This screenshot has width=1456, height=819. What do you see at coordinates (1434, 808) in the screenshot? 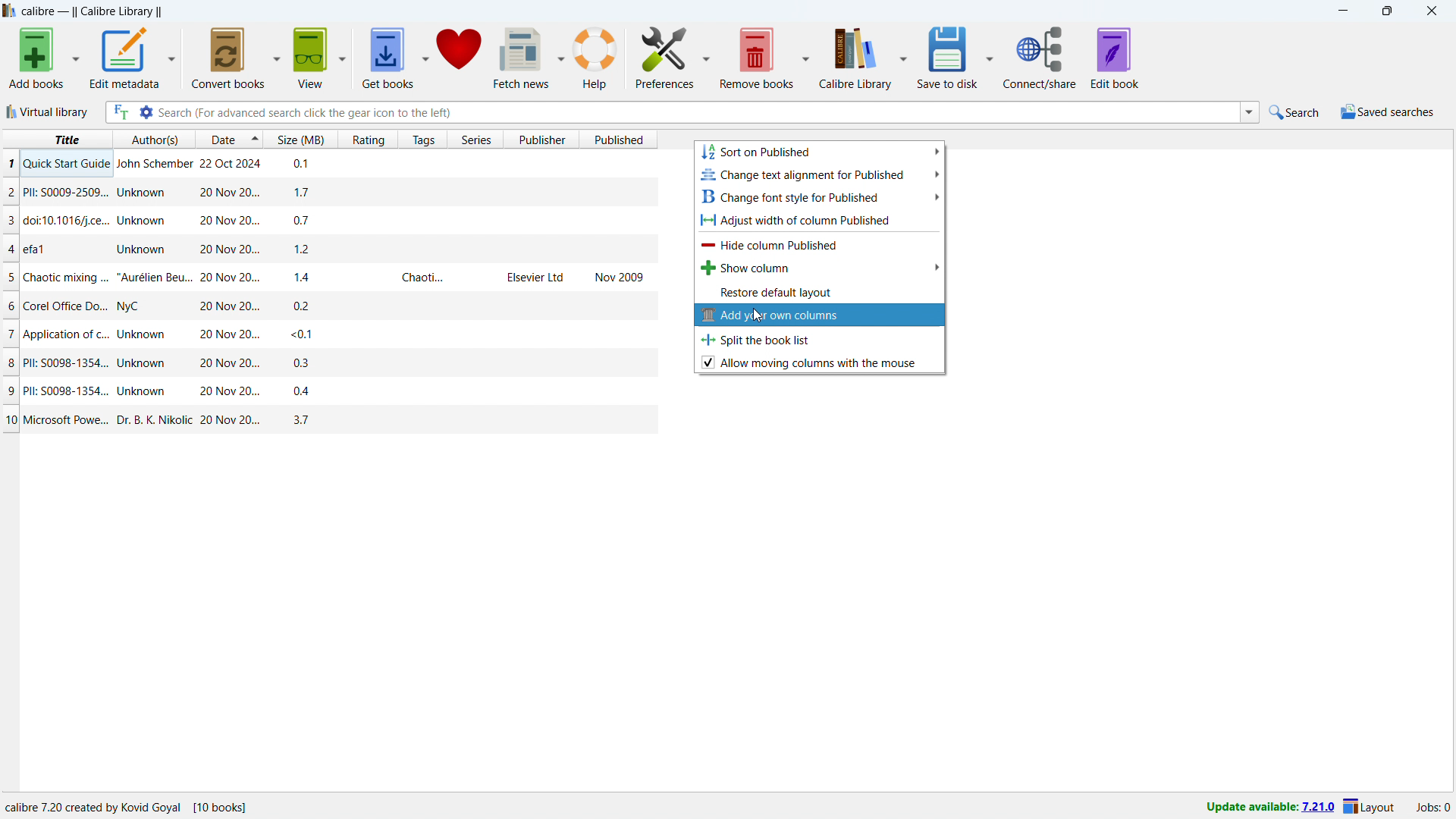
I see `active jobs` at bounding box center [1434, 808].